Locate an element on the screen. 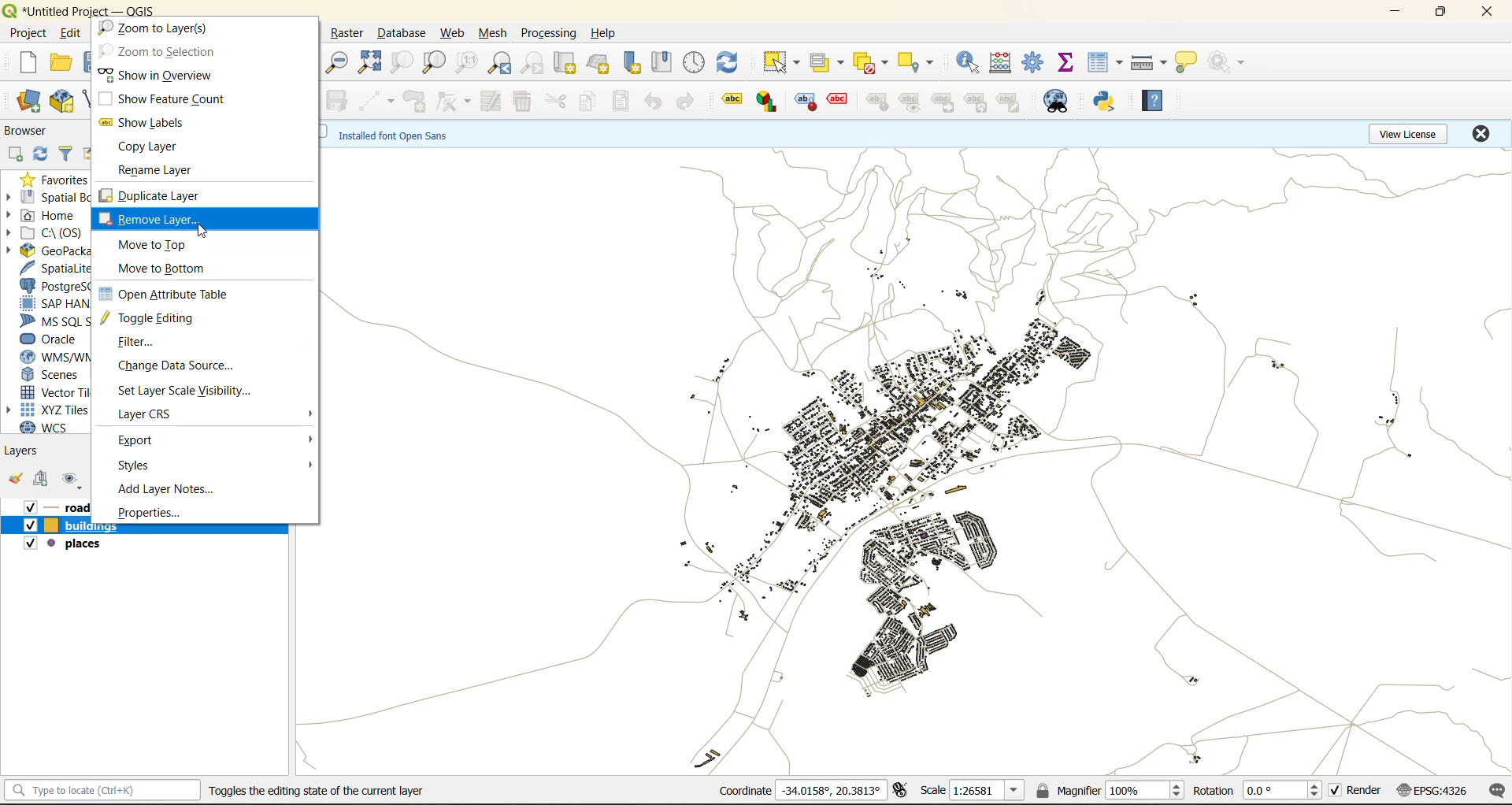 The width and height of the screenshot is (1512, 805). open is located at coordinates (59, 62).